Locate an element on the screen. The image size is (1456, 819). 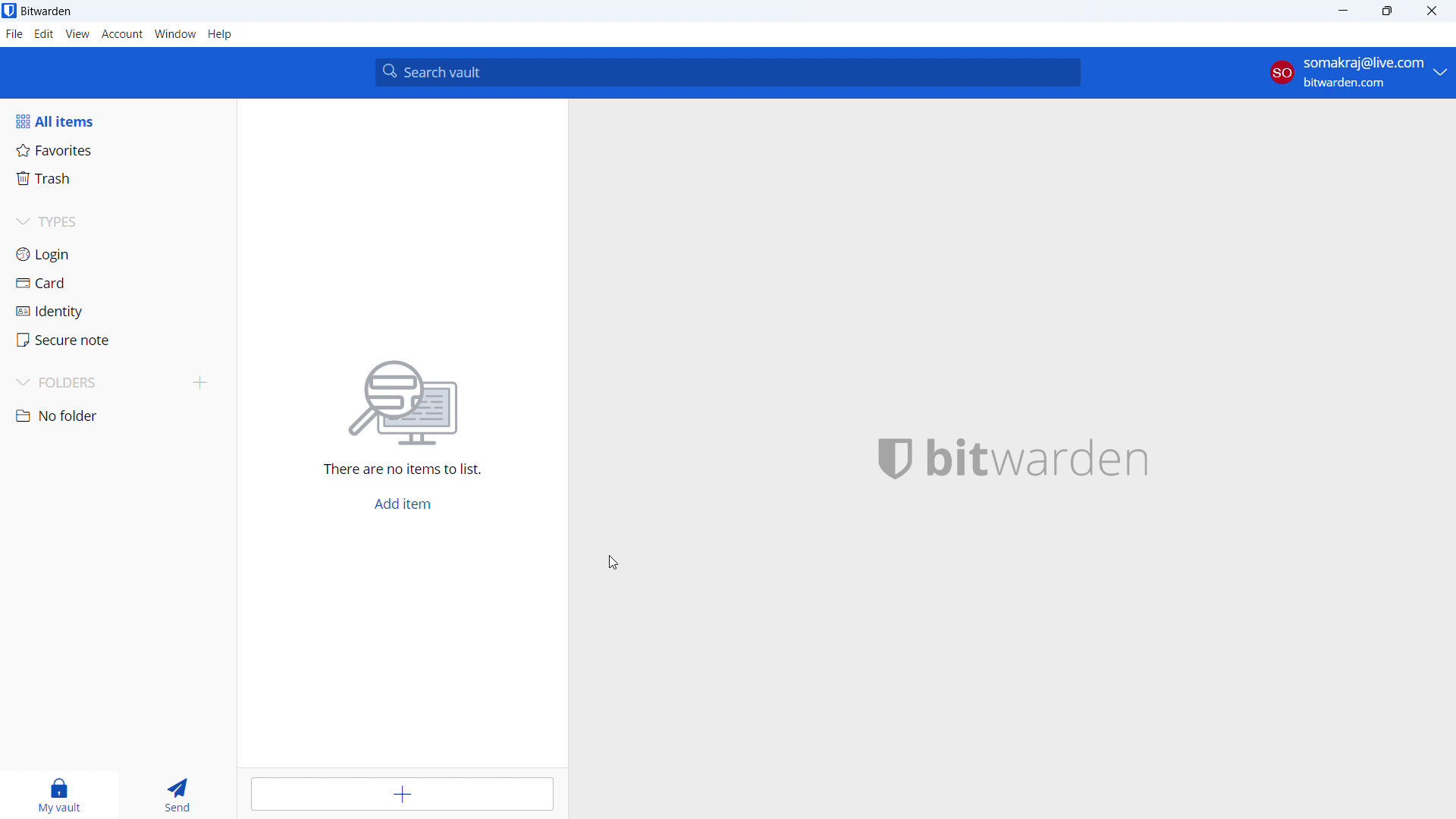
account is located at coordinates (1359, 72).